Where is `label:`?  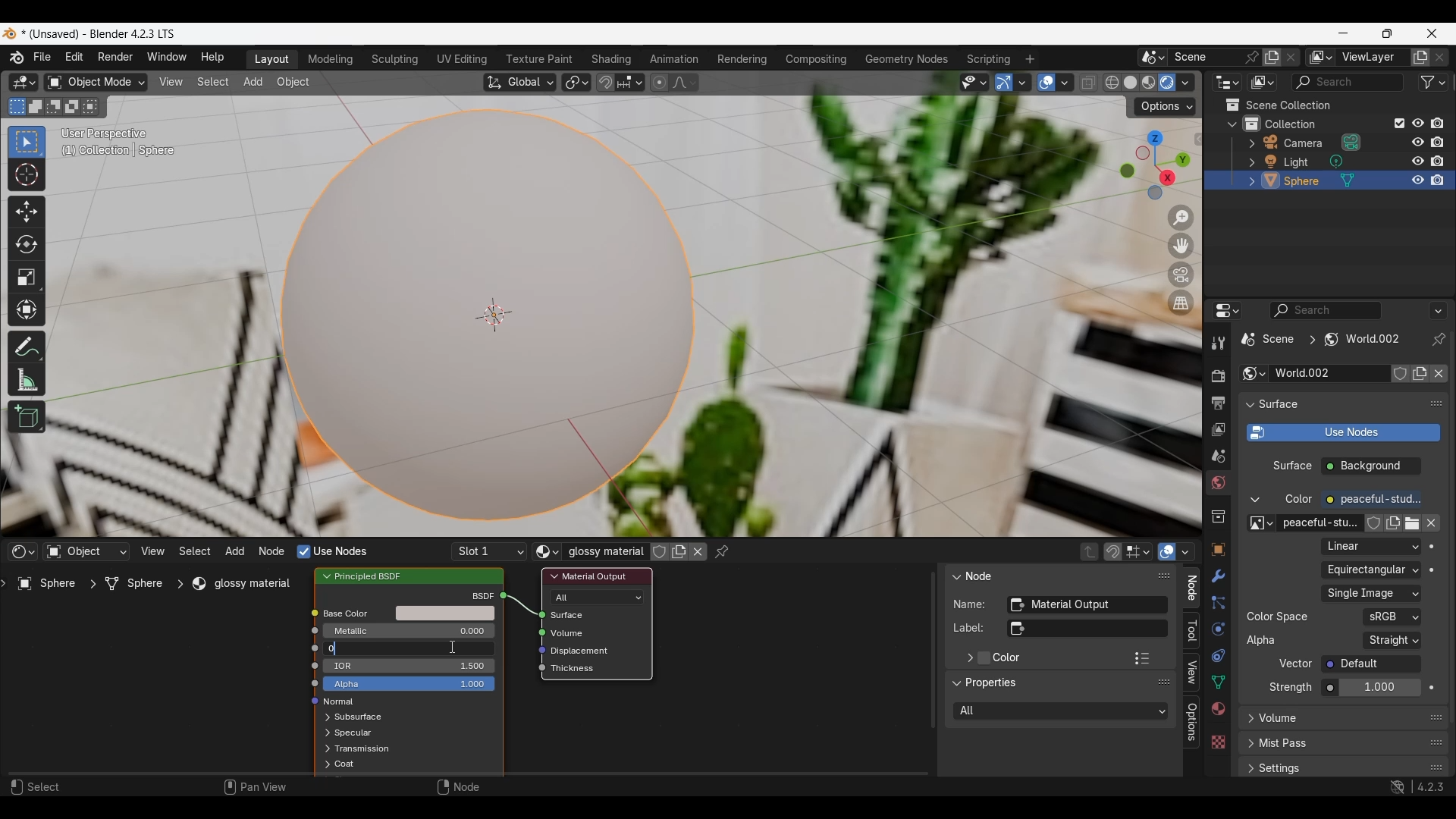 label: is located at coordinates (969, 628).